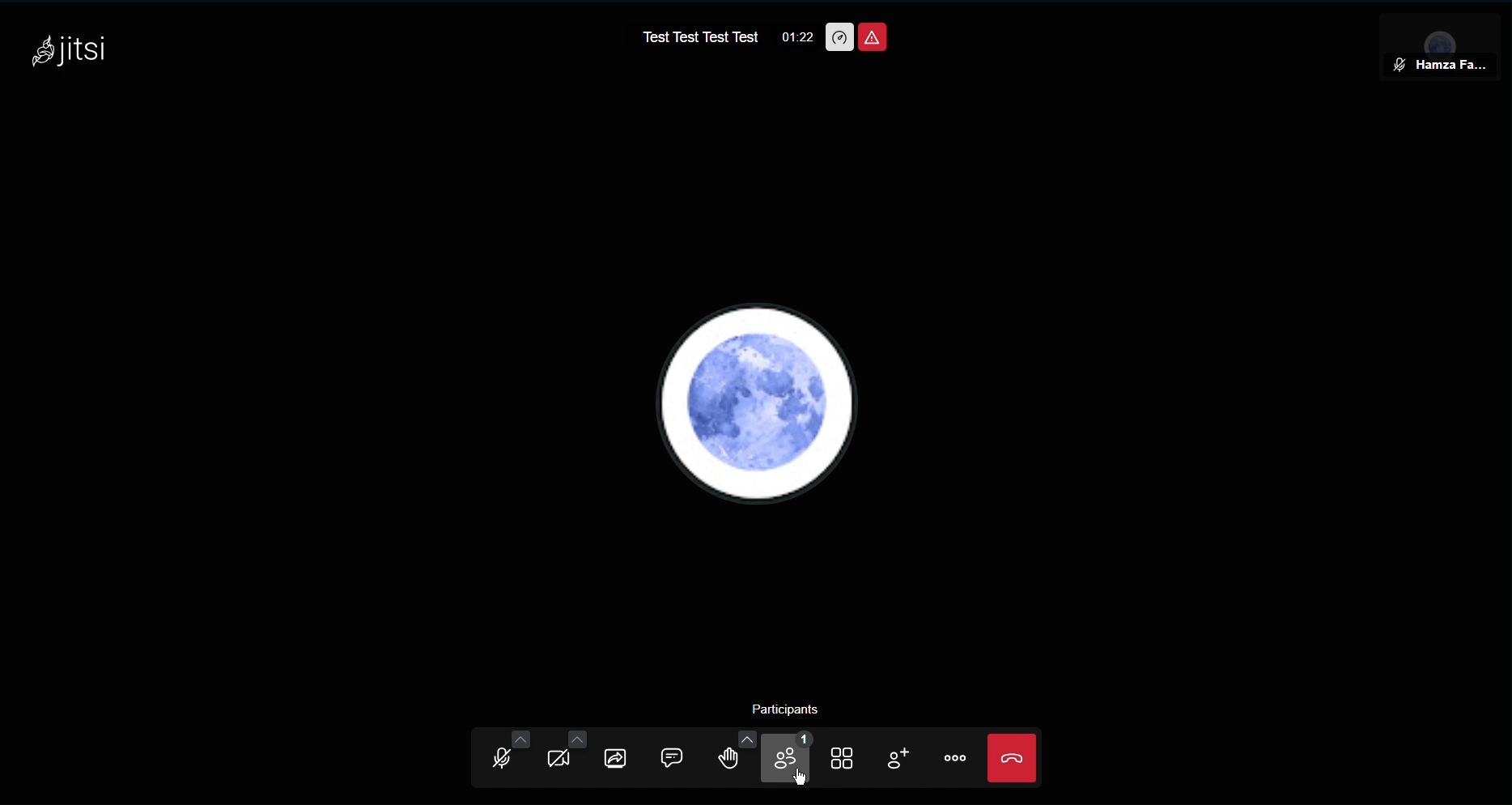  Describe the element at coordinates (1436, 46) in the screenshot. I see `Participant view` at that location.